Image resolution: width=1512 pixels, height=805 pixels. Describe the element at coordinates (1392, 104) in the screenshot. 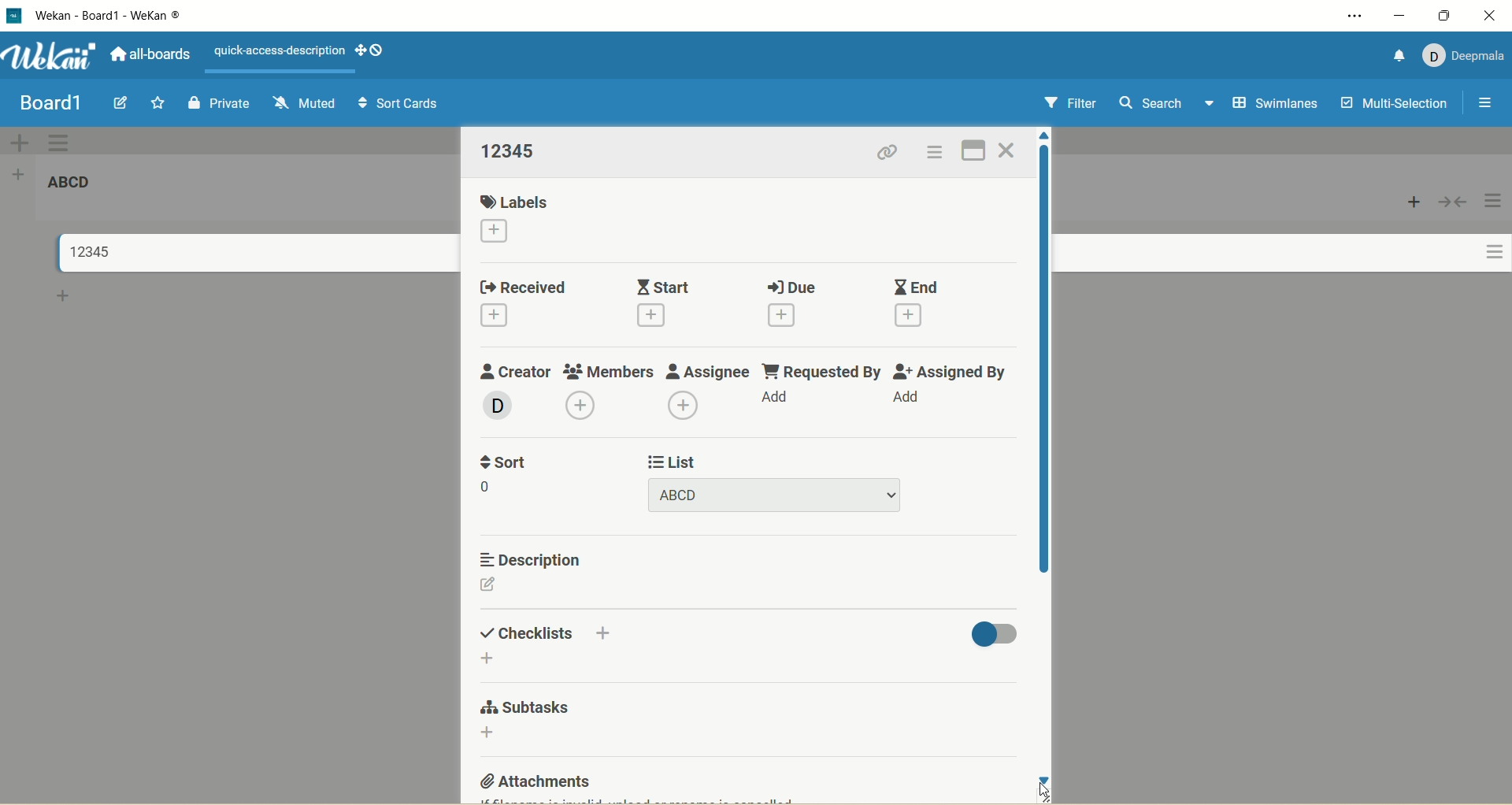

I see `multi-selection` at that location.